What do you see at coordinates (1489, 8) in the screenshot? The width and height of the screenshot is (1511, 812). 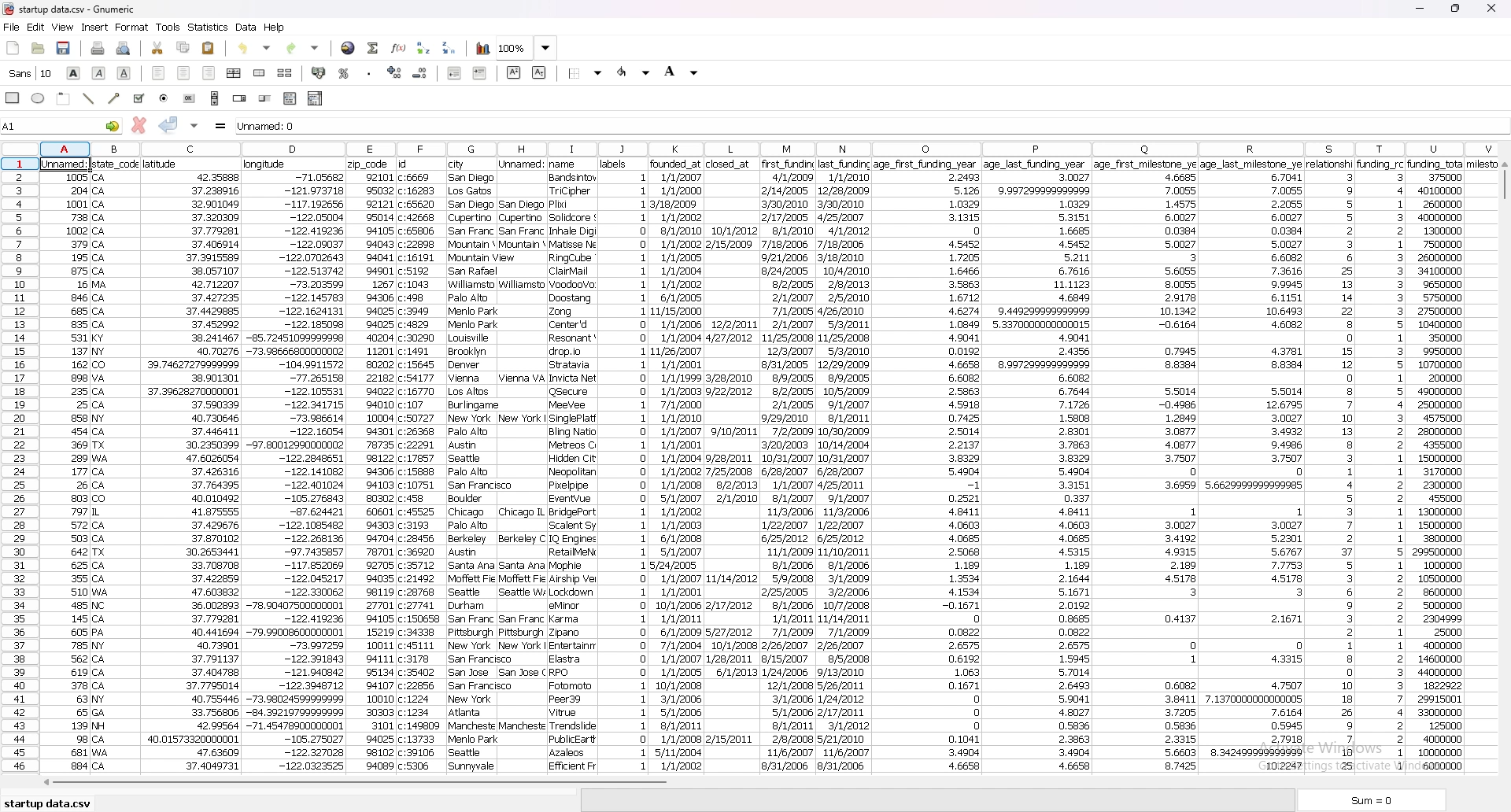 I see `close` at bounding box center [1489, 8].